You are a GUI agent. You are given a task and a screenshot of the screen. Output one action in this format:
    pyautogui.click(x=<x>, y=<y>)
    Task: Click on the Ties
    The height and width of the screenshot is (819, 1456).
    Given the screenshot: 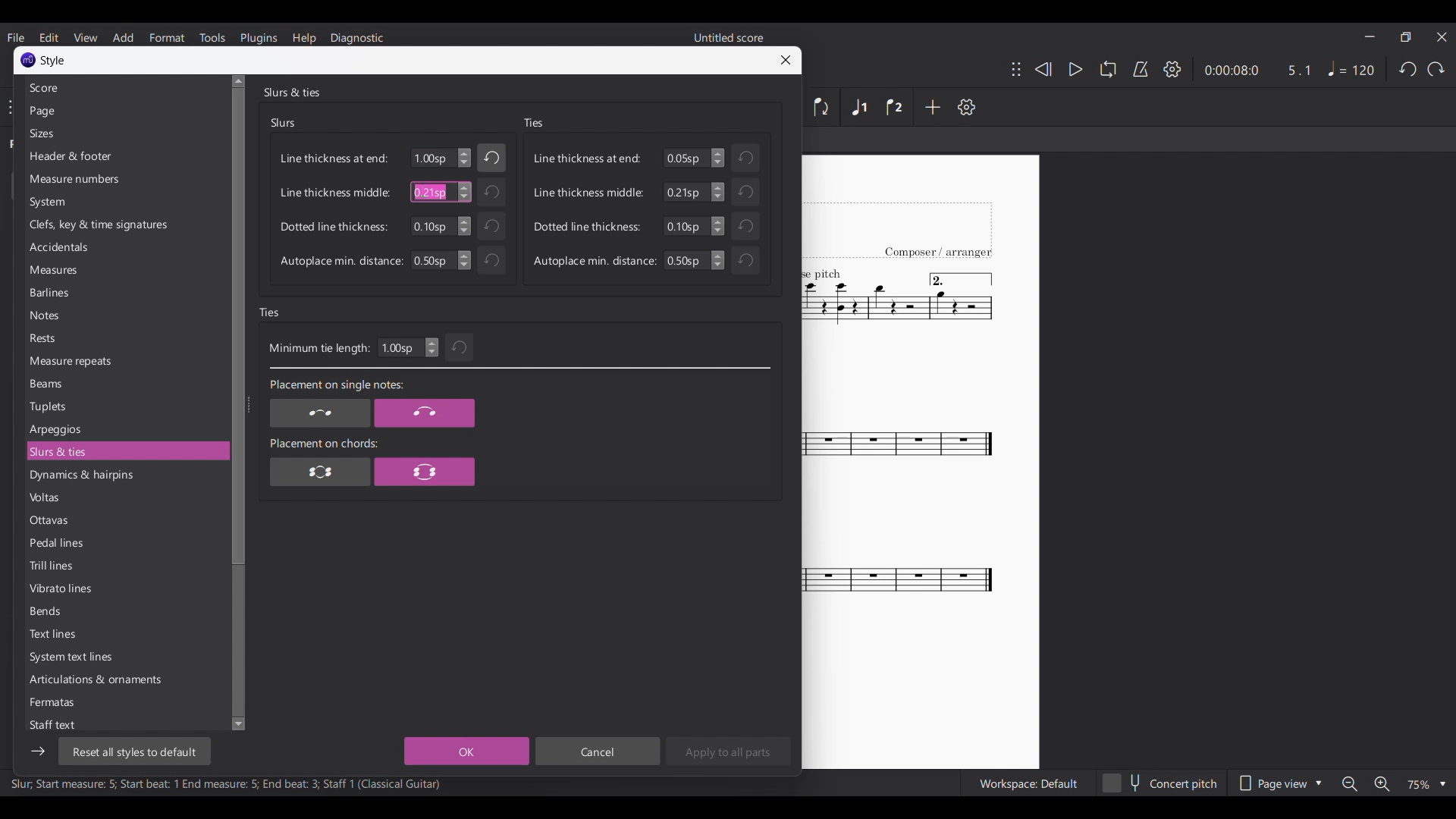 What is the action you would take?
    pyautogui.click(x=533, y=123)
    